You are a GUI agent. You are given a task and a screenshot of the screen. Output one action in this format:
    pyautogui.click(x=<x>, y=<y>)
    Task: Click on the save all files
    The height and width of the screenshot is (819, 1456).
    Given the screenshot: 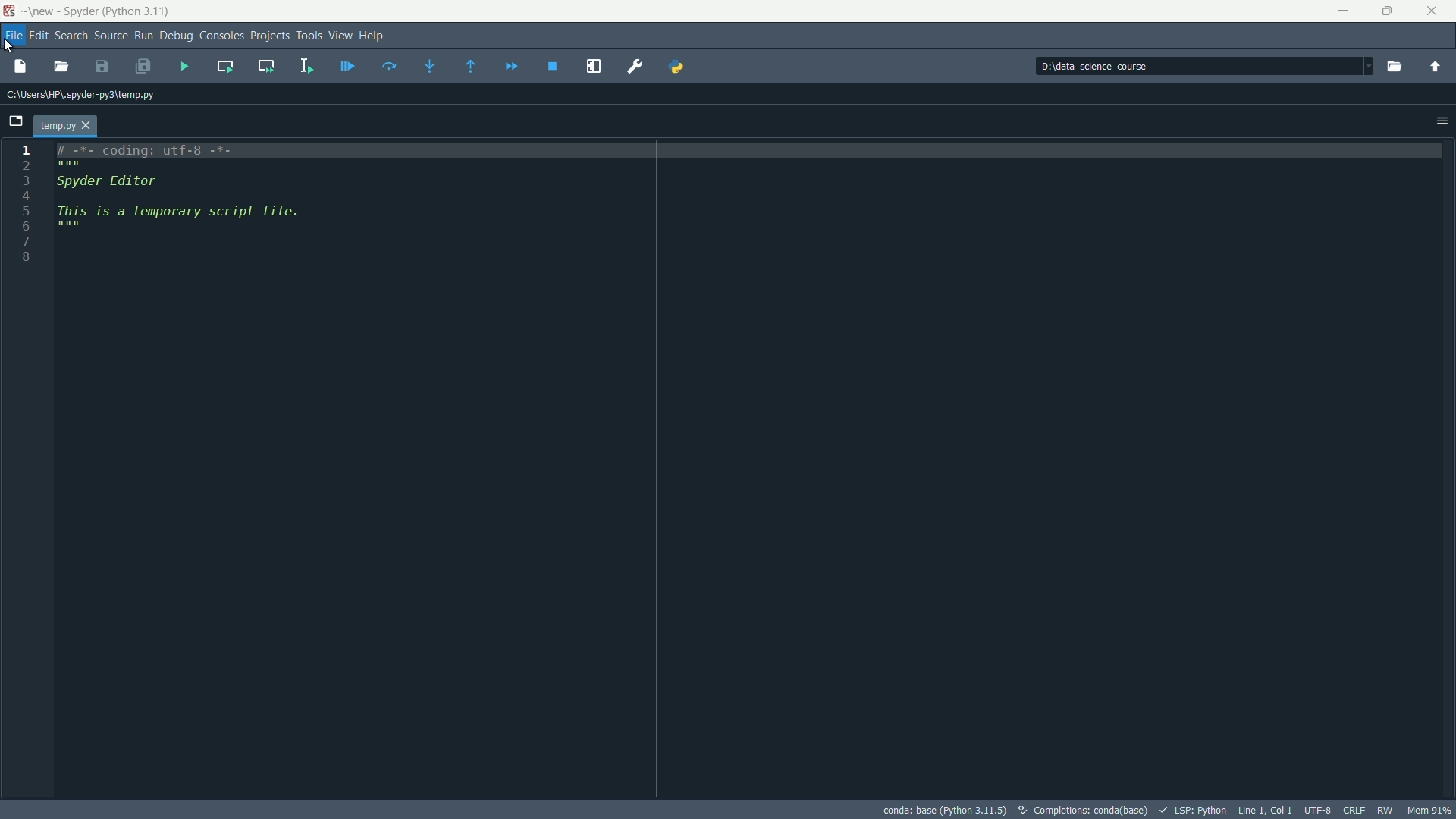 What is the action you would take?
    pyautogui.click(x=146, y=64)
    